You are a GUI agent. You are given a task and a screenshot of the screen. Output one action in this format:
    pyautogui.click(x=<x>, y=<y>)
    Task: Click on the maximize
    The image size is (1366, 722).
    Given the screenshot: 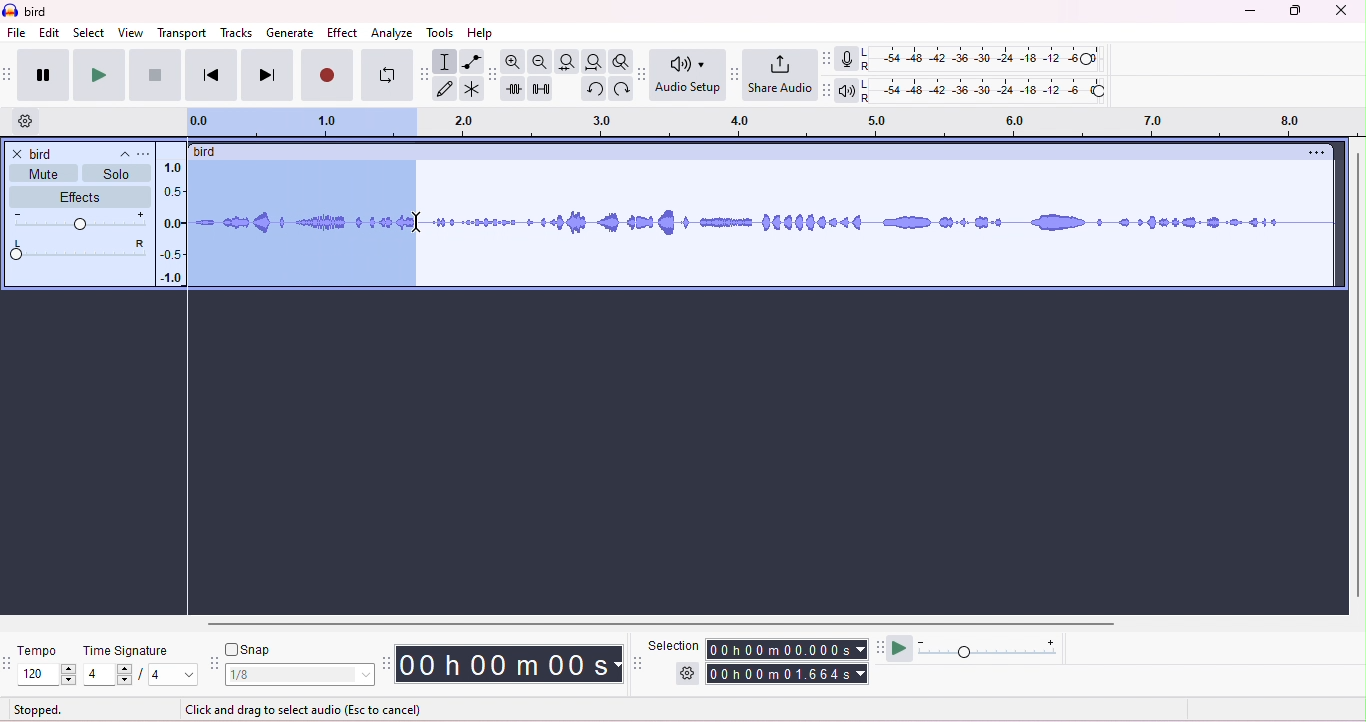 What is the action you would take?
    pyautogui.click(x=1293, y=11)
    